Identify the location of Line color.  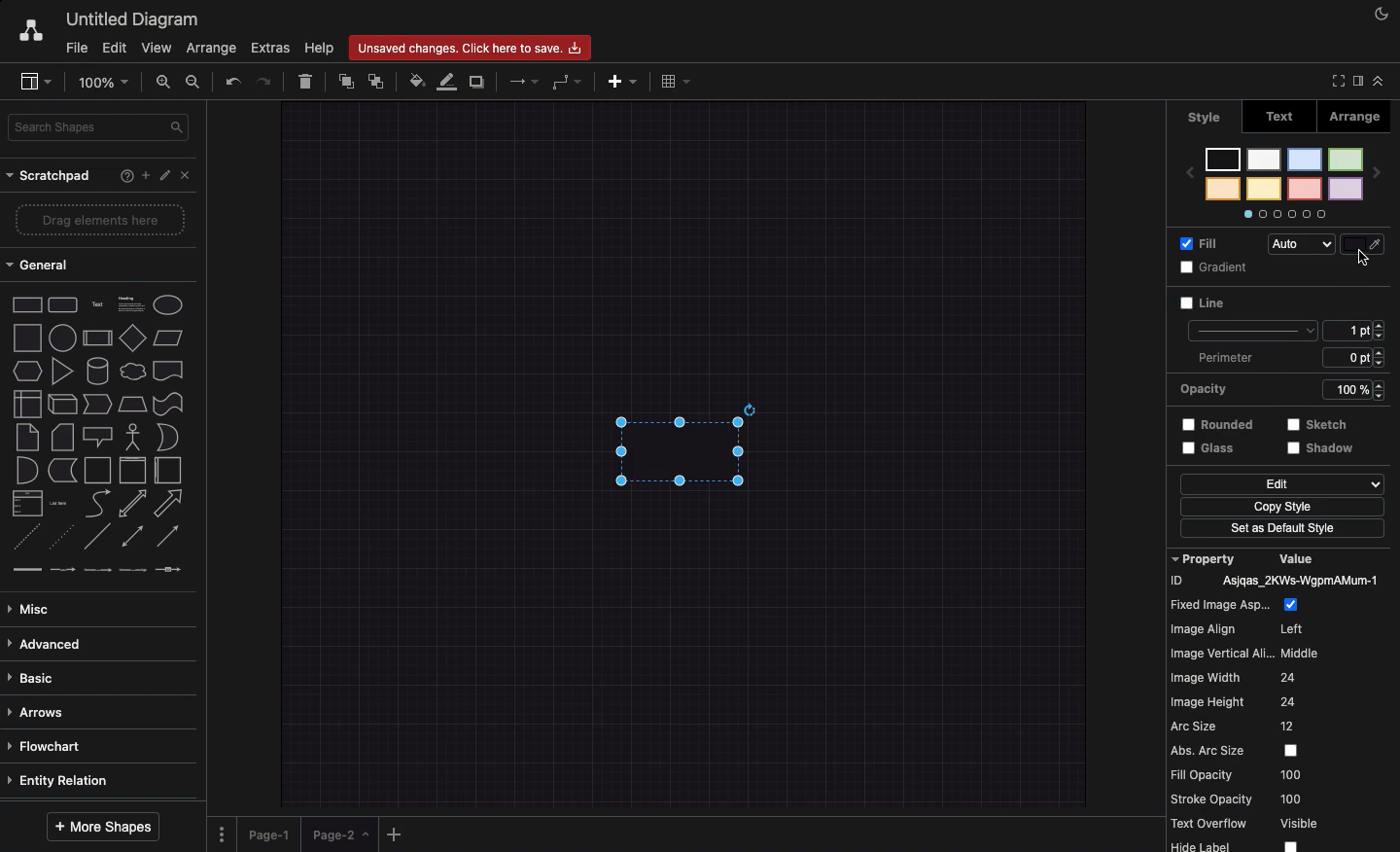
(450, 81).